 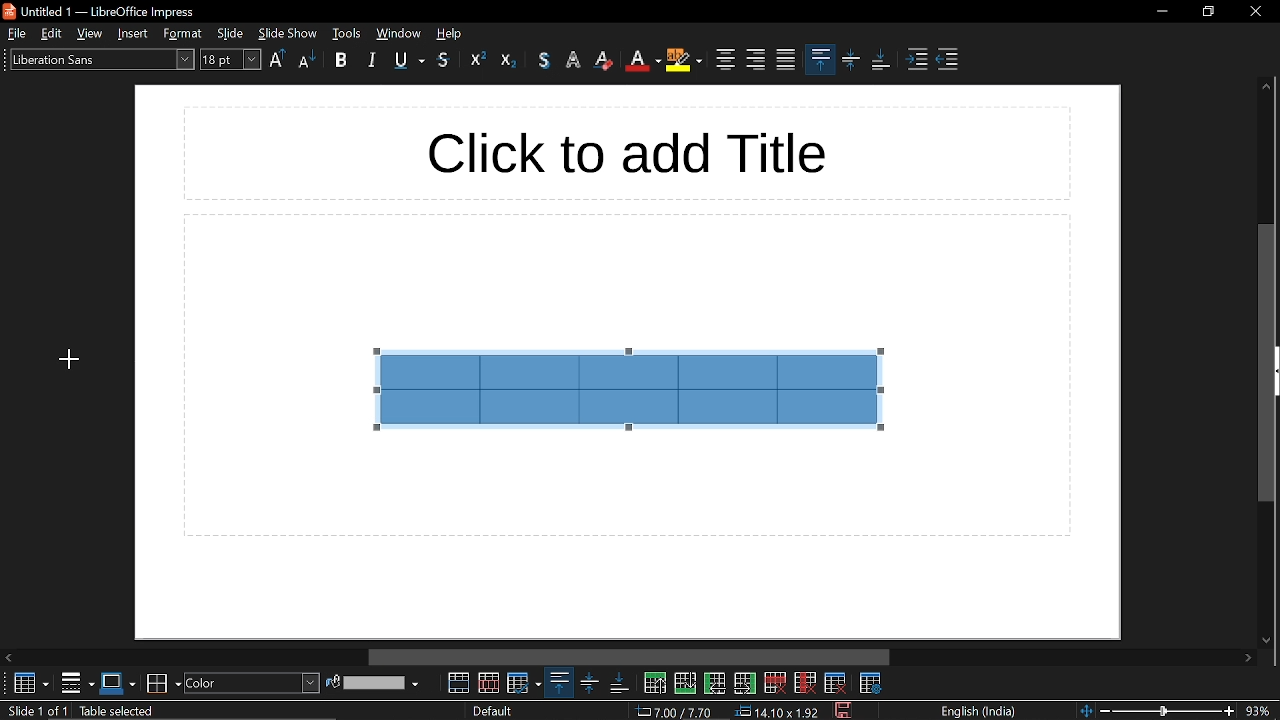 What do you see at coordinates (1205, 14) in the screenshot?
I see `restore down` at bounding box center [1205, 14].